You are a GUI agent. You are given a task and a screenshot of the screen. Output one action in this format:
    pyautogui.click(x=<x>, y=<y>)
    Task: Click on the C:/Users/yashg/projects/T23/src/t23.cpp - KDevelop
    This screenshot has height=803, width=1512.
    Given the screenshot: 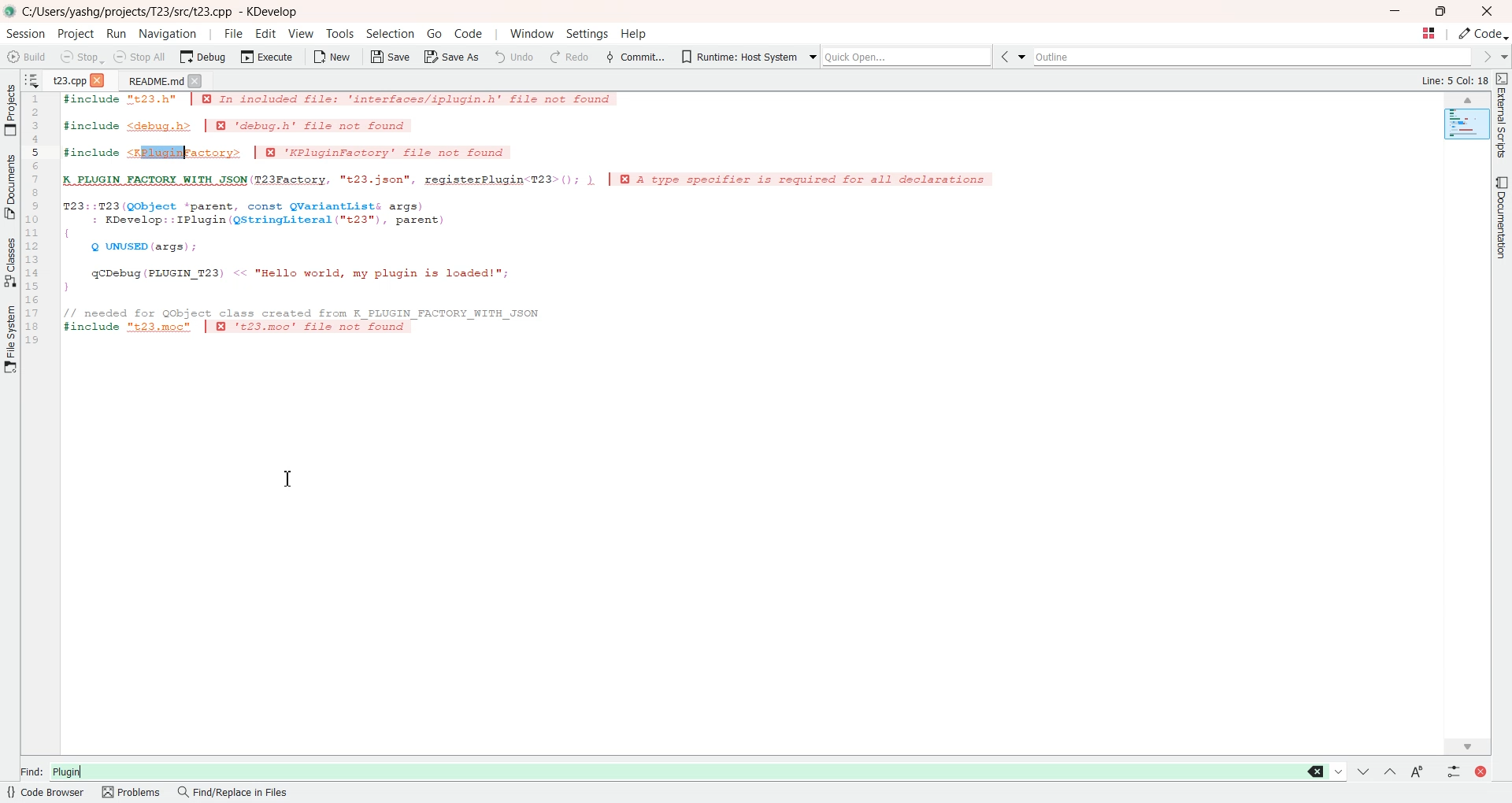 What is the action you would take?
    pyautogui.click(x=163, y=12)
    